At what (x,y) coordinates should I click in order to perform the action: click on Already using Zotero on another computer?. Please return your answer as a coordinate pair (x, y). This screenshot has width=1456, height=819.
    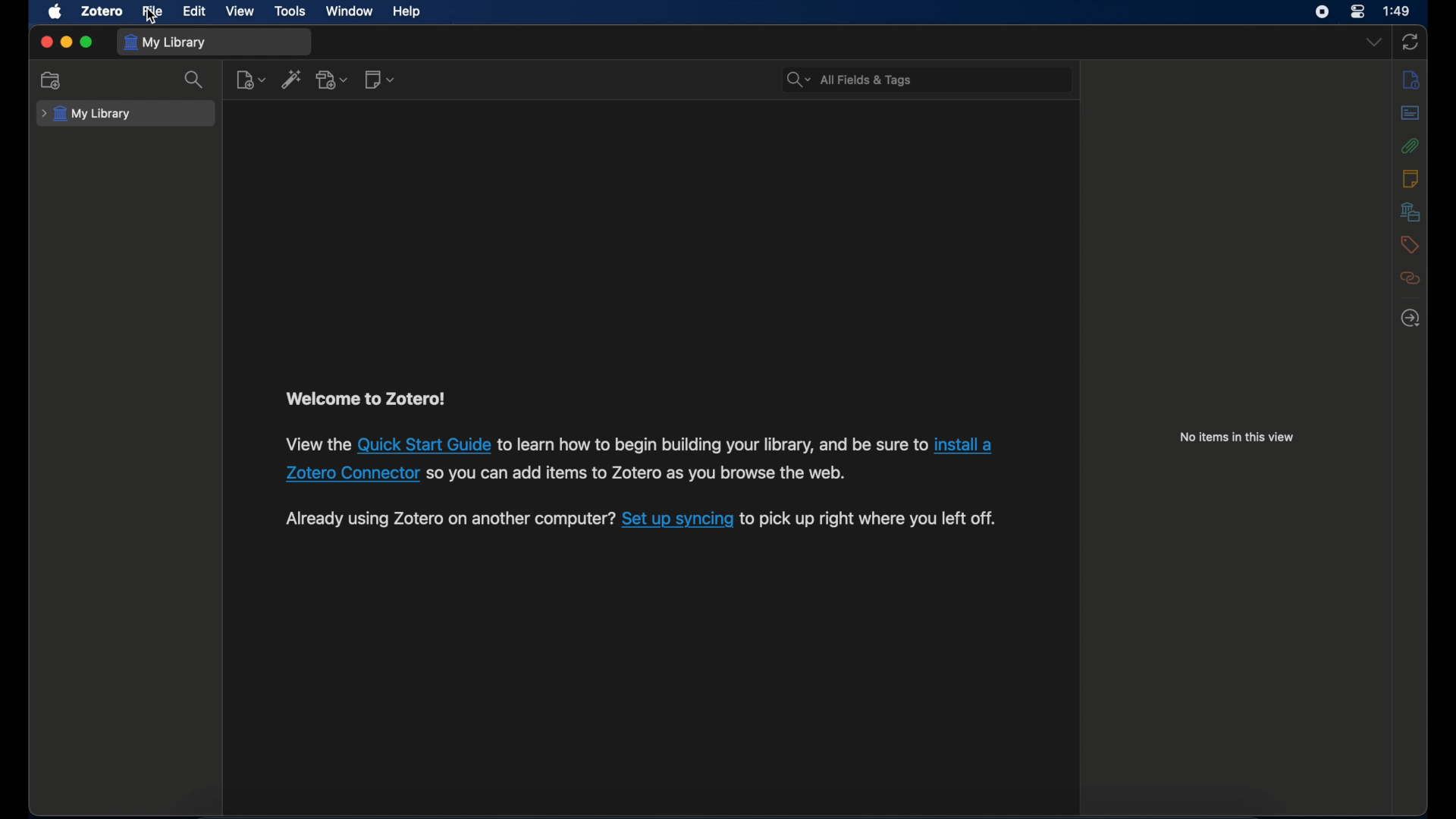
    Looking at the image, I should click on (450, 518).